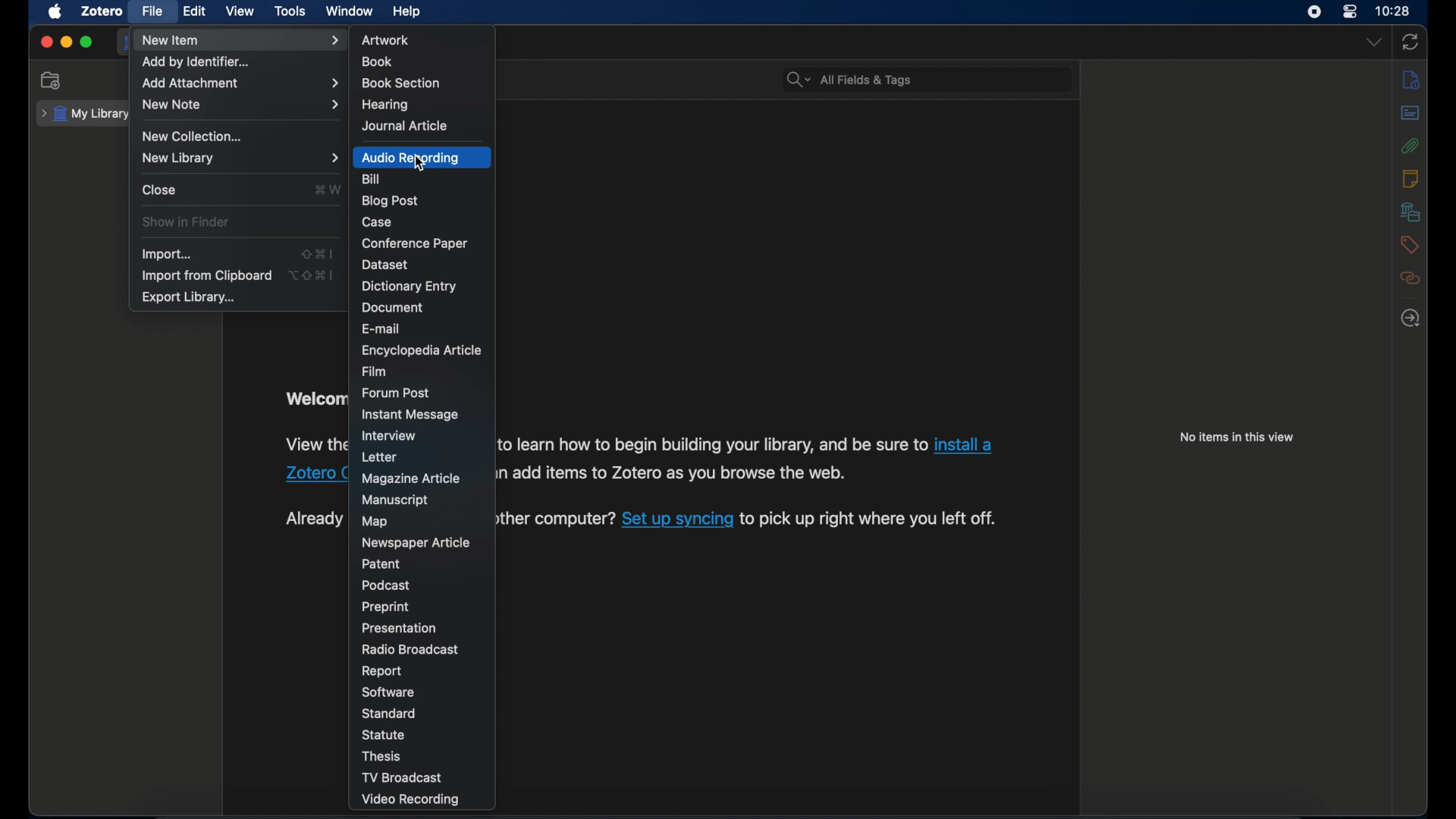 This screenshot has width=1456, height=819. Describe the element at coordinates (1410, 179) in the screenshot. I see `notes` at that location.